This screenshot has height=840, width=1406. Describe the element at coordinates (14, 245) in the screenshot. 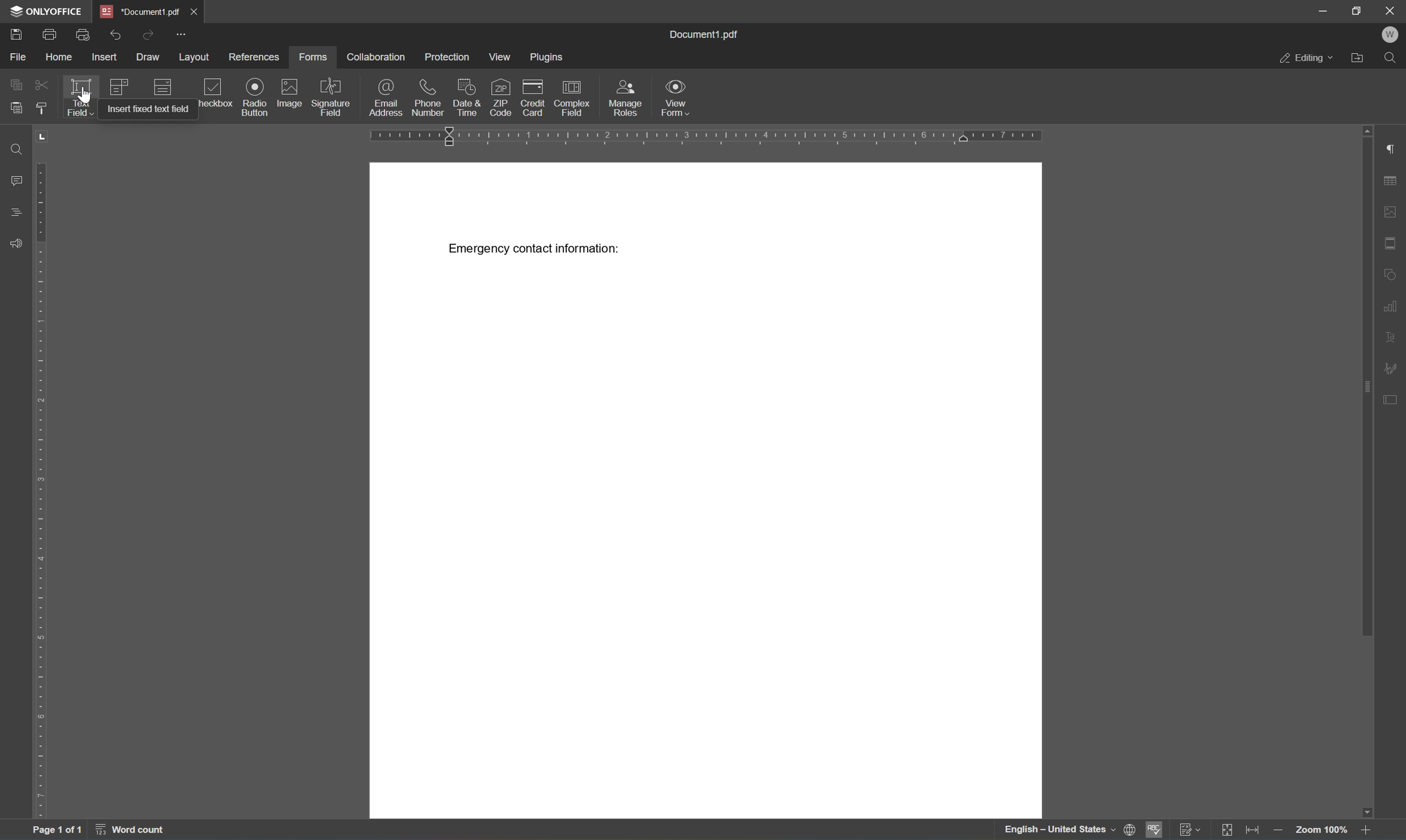

I see `feedback and support` at that location.